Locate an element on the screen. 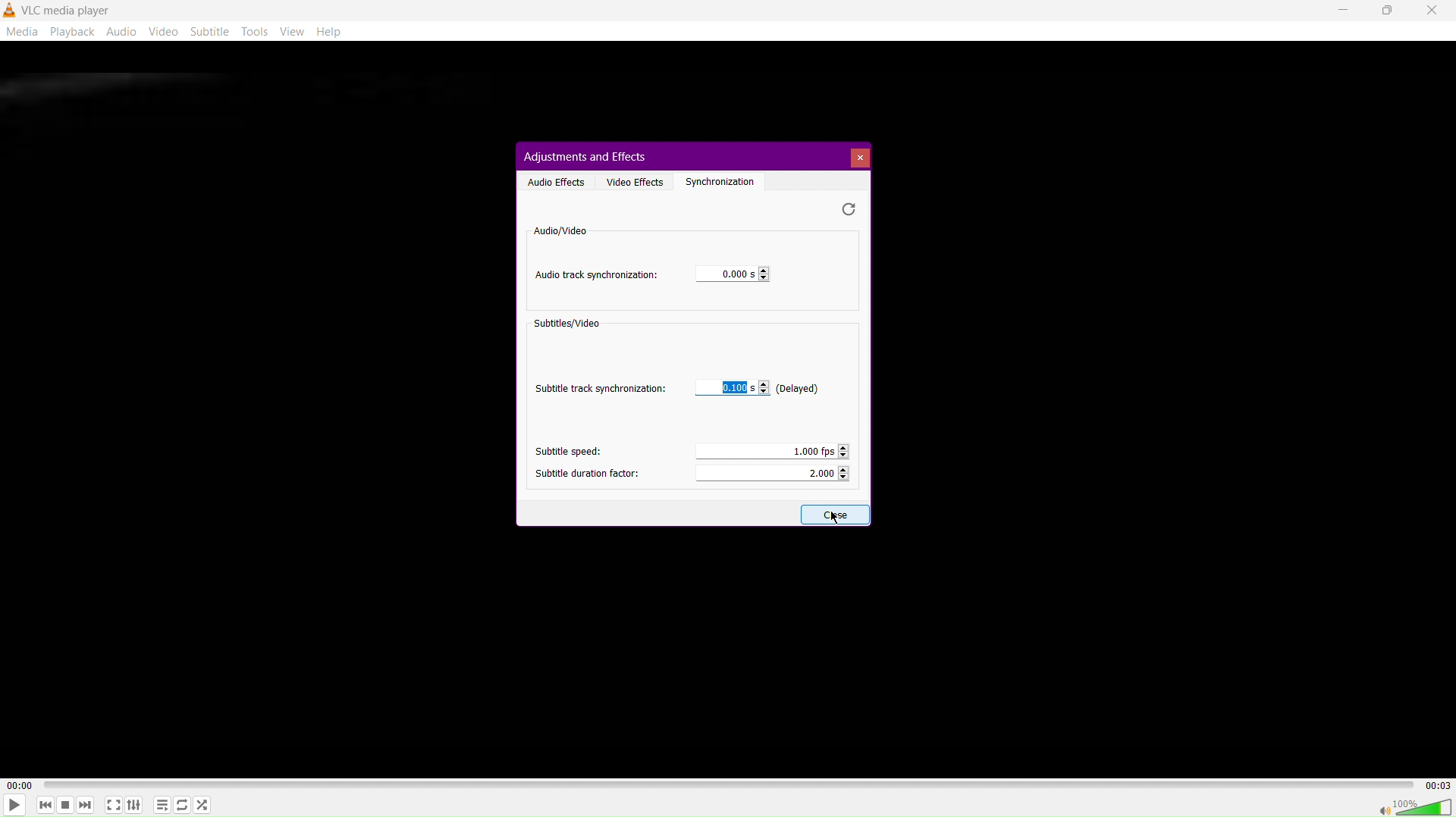  Speed value is located at coordinates (770, 449).